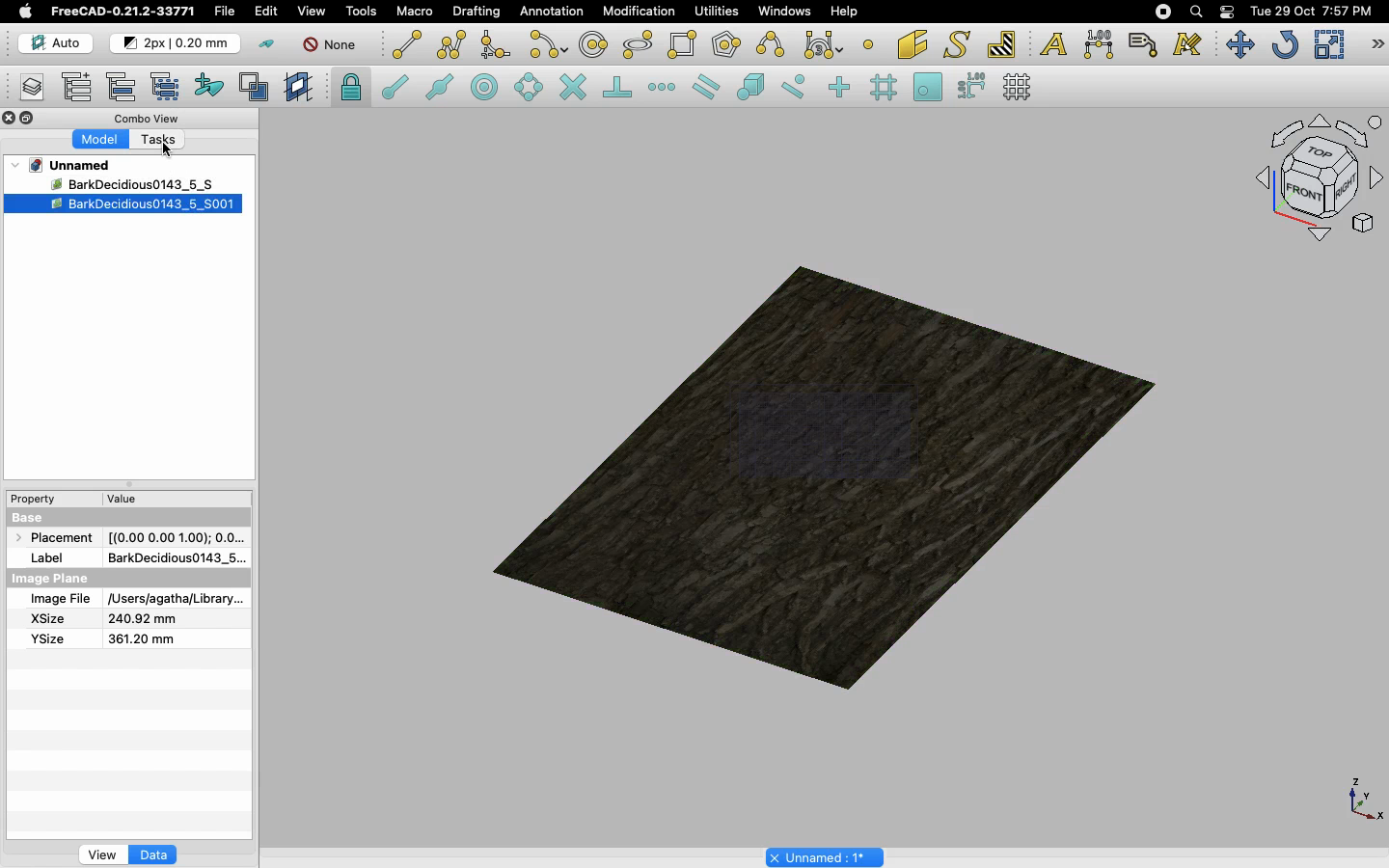 Image resolution: width=1389 pixels, height=868 pixels. I want to click on Rectangle, so click(686, 45).